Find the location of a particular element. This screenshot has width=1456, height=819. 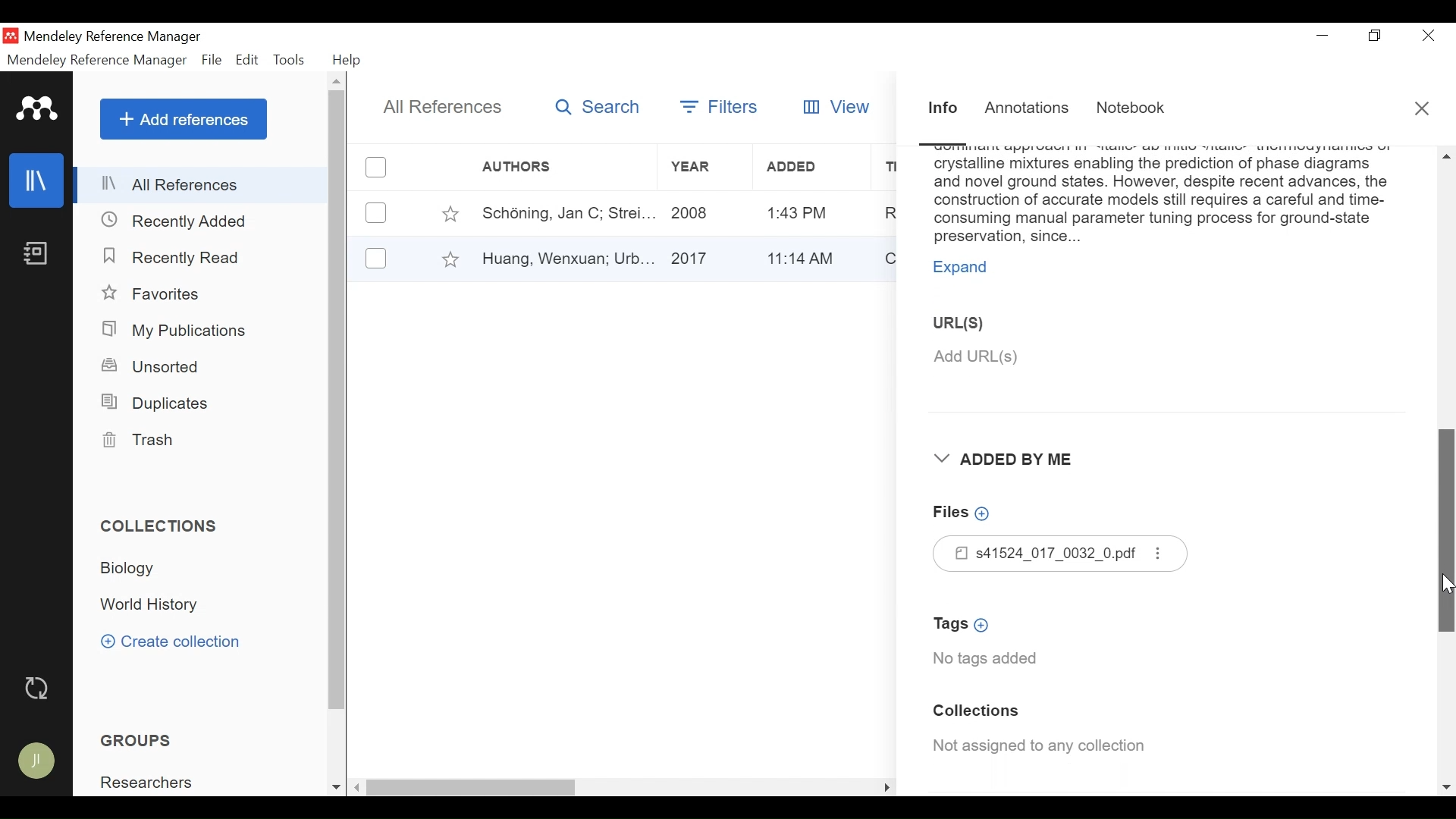

Add URL(S) is located at coordinates (1064, 357).